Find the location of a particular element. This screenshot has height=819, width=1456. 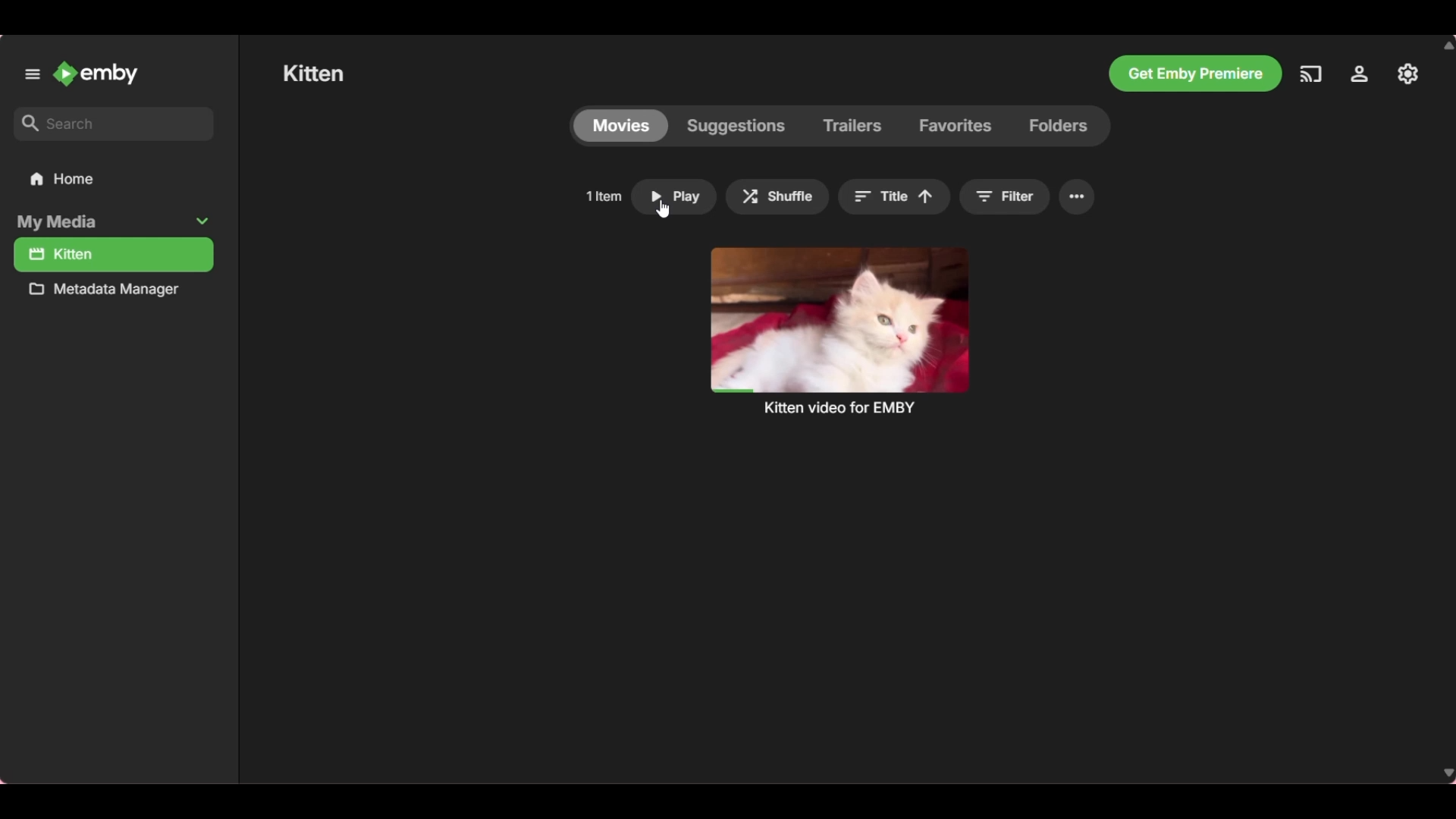

Folders is located at coordinates (1067, 127).